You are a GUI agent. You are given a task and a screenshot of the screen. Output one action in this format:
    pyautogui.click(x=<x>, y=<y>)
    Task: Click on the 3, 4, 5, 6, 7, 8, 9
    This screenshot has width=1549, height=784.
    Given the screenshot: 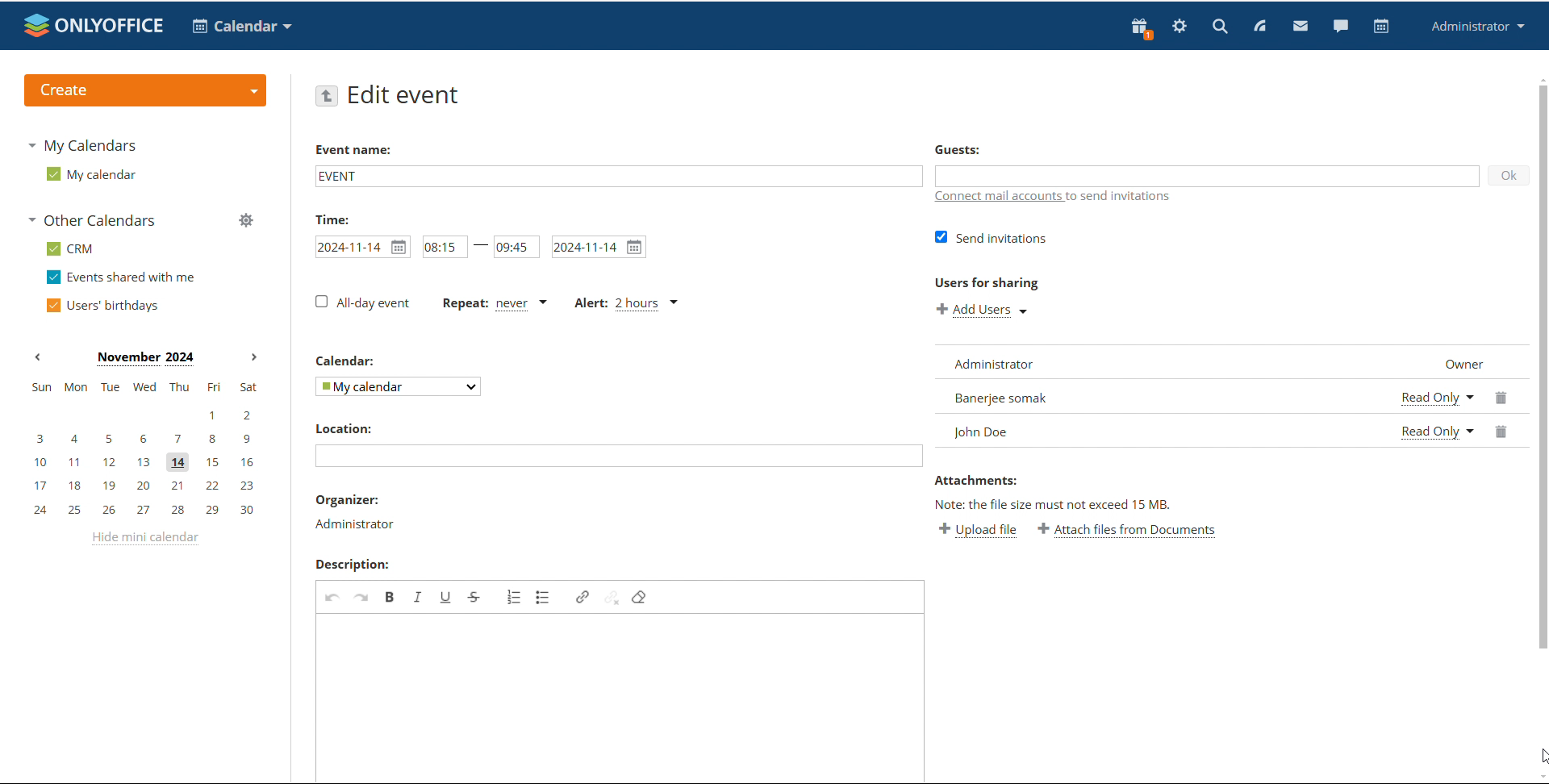 What is the action you would take?
    pyautogui.click(x=142, y=440)
    